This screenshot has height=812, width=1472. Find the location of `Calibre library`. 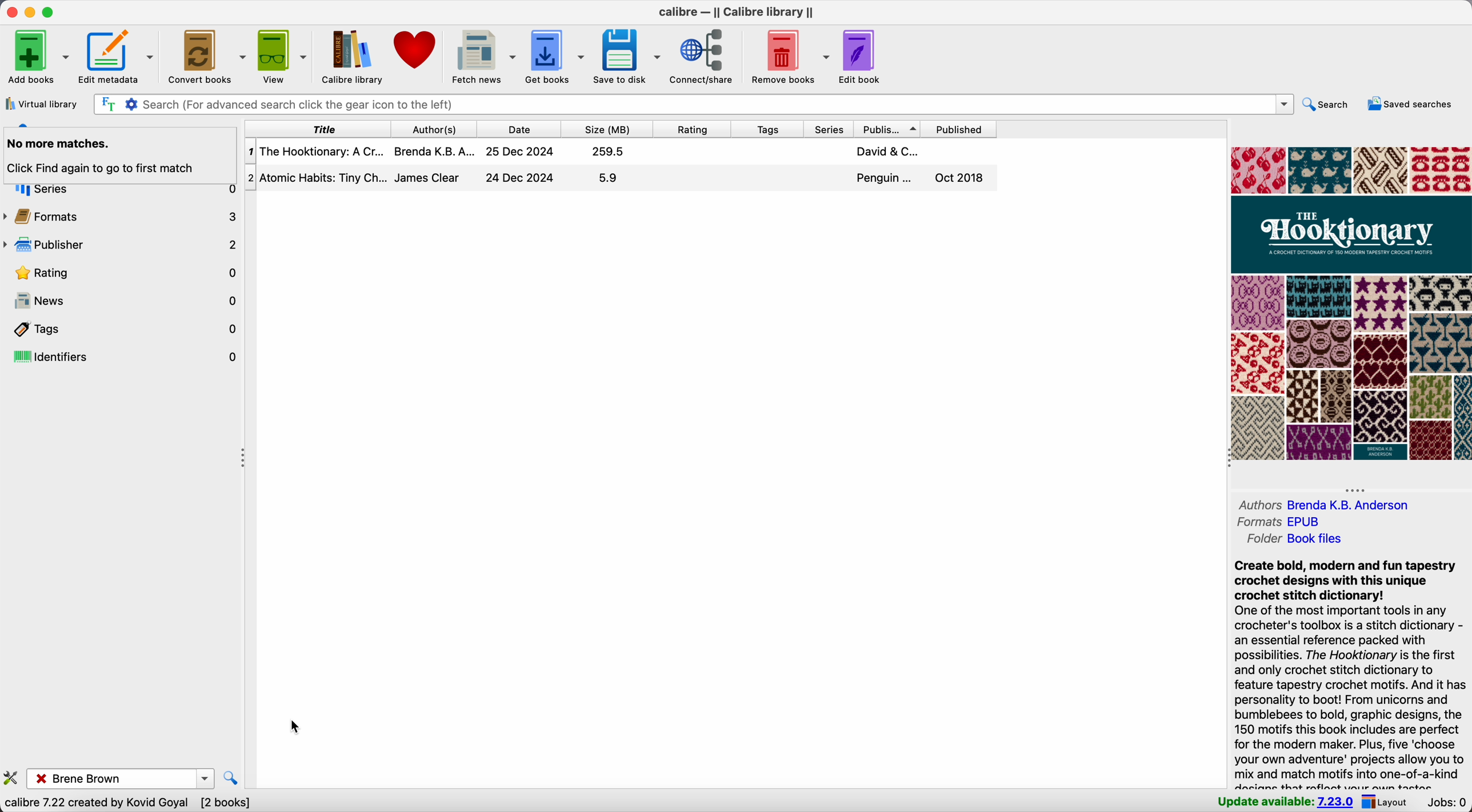

Calibre library is located at coordinates (351, 55).